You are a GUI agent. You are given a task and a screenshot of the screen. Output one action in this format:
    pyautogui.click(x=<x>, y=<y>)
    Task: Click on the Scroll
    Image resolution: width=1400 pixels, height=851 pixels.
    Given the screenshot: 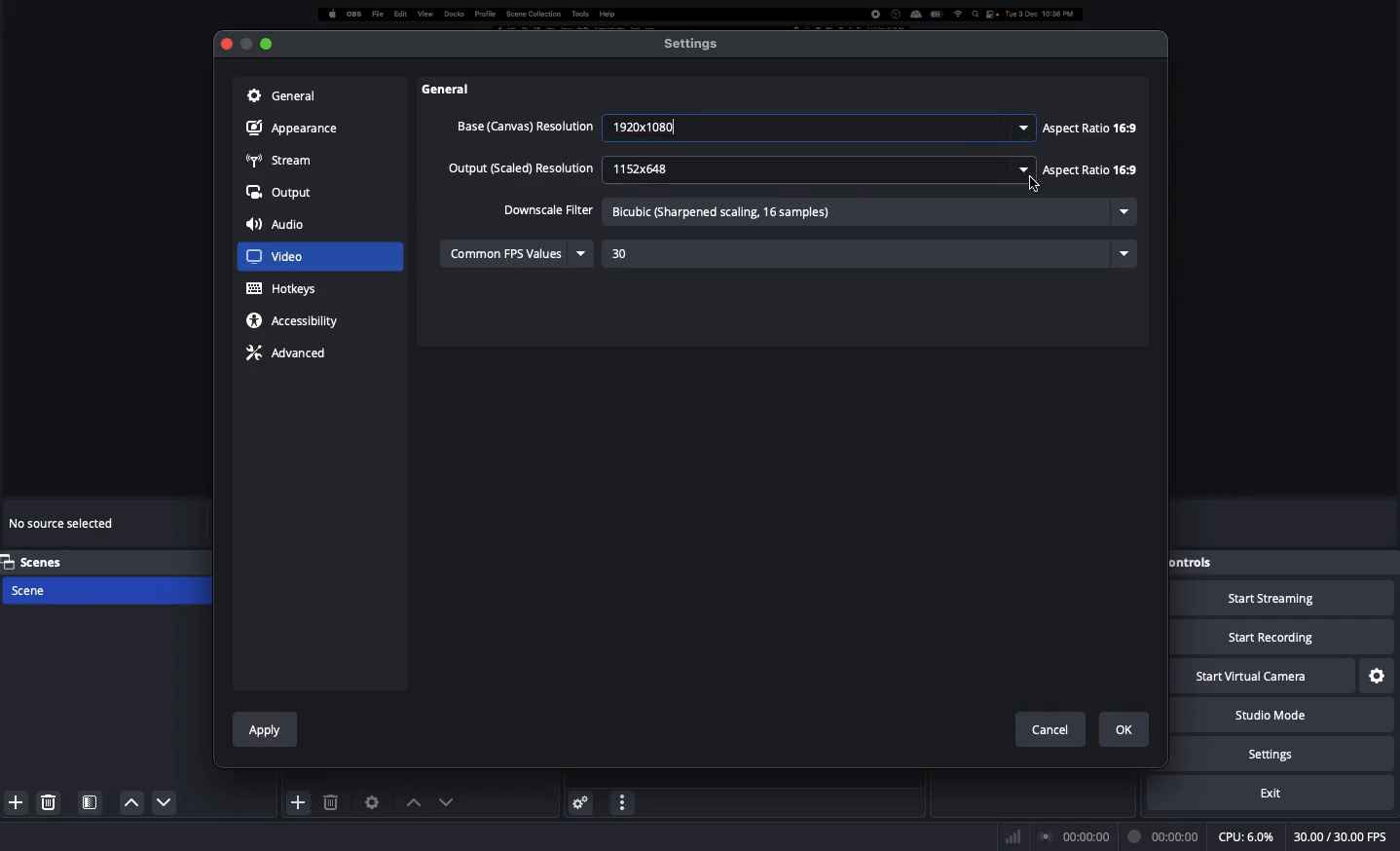 What is the action you would take?
    pyautogui.click(x=1150, y=385)
    